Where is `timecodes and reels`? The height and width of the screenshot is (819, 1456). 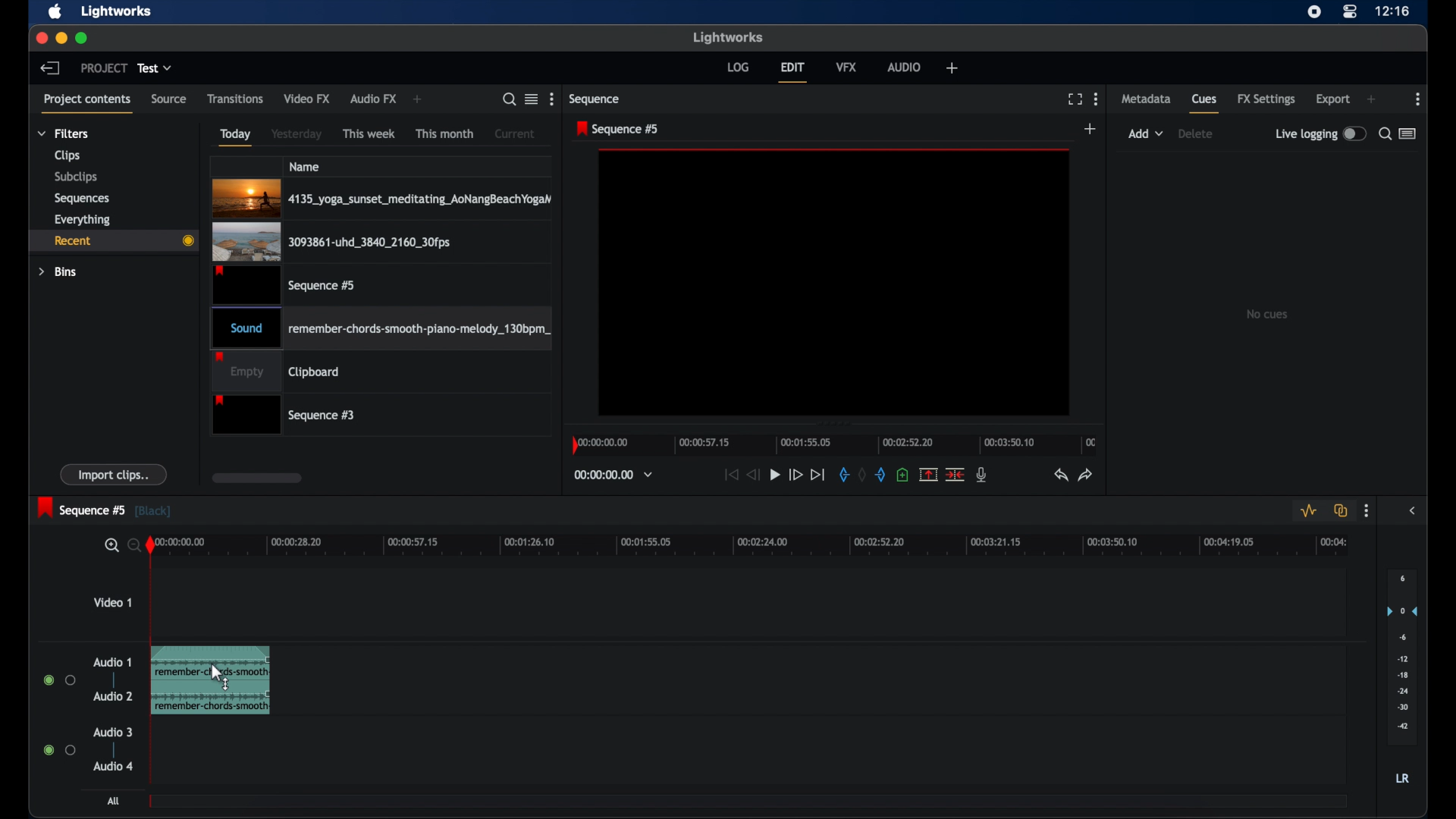 timecodes and reels is located at coordinates (613, 475).